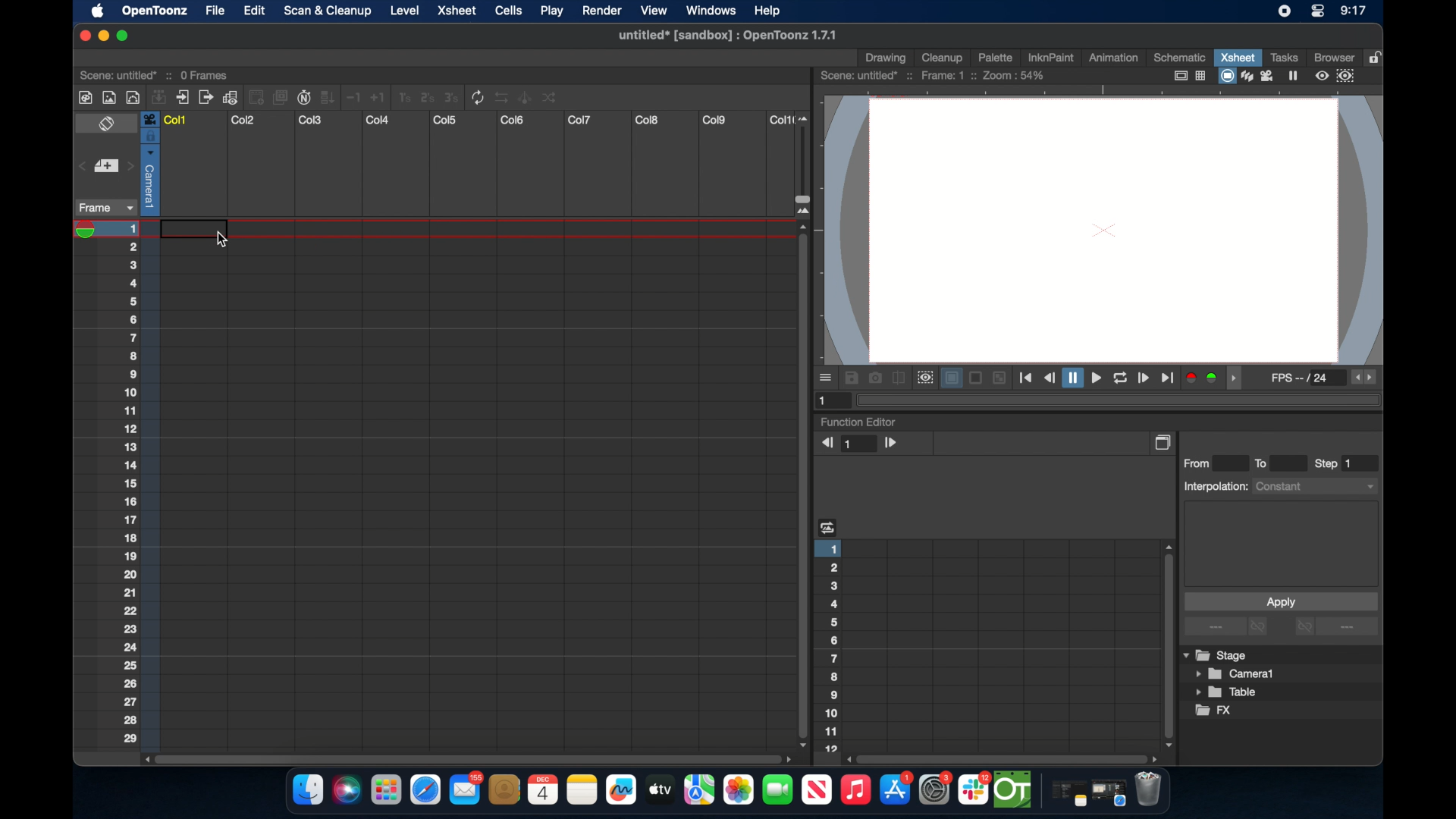  Describe the element at coordinates (924, 378) in the screenshot. I see `preview` at that location.